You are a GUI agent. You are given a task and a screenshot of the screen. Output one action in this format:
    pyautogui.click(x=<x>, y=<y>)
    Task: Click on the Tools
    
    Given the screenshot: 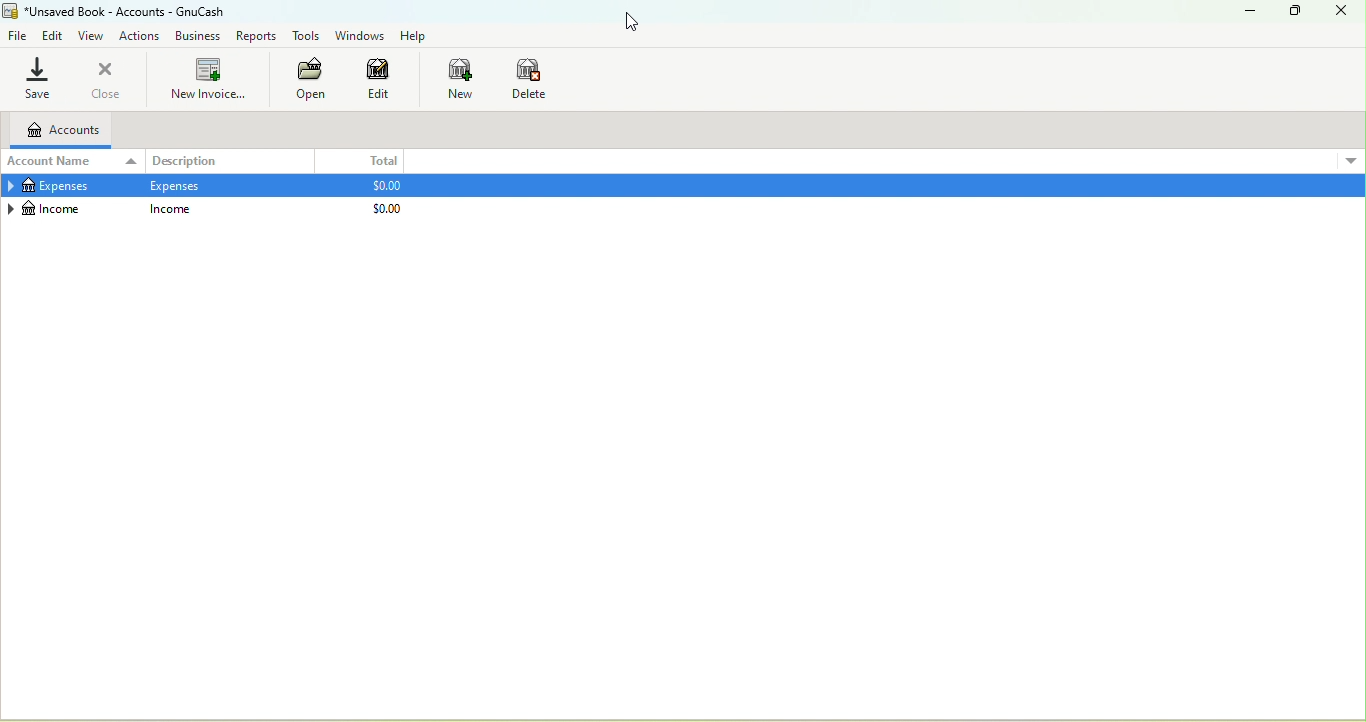 What is the action you would take?
    pyautogui.click(x=304, y=36)
    